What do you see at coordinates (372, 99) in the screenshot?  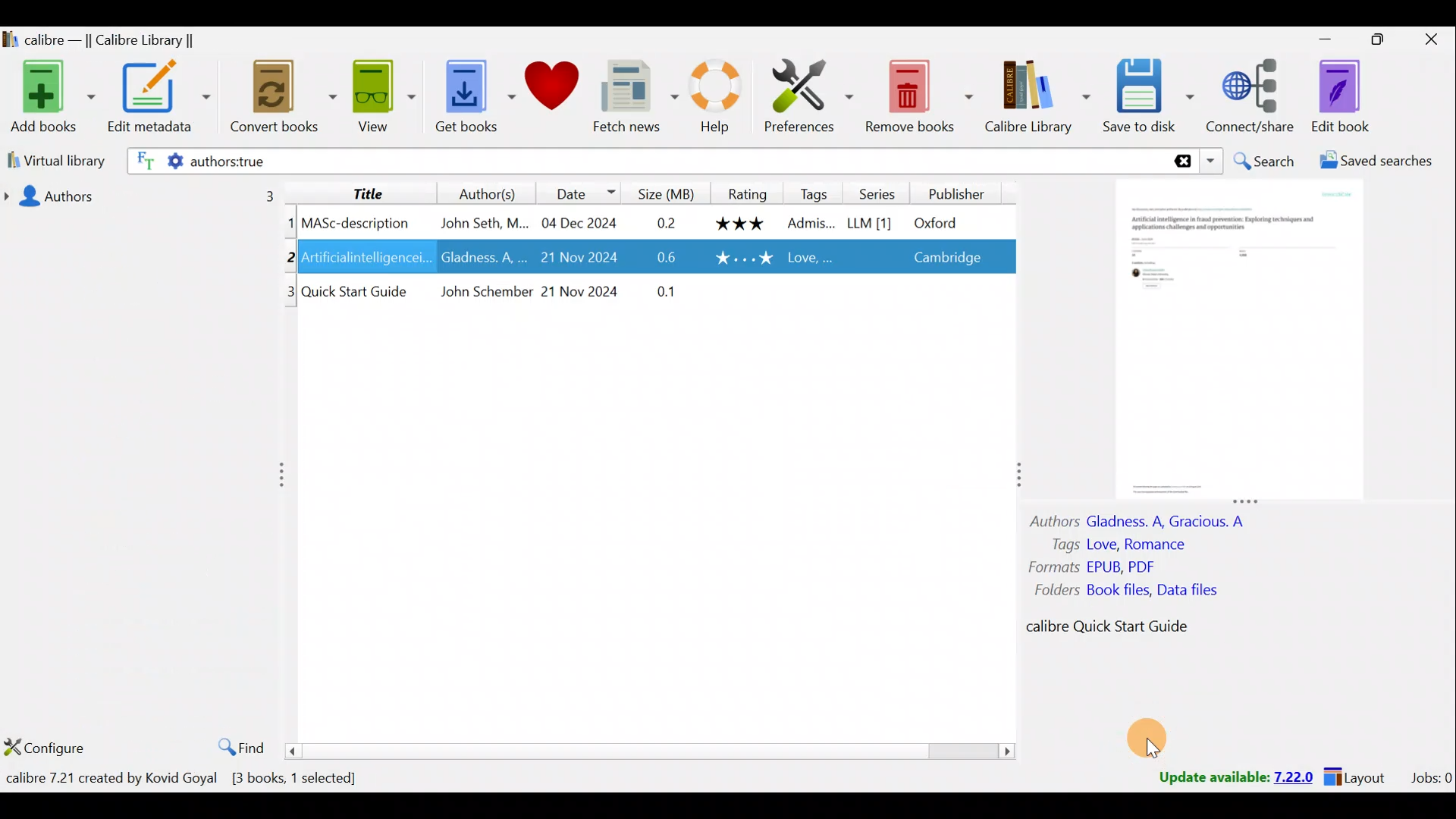 I see `View` at bounding box center [372, 99].